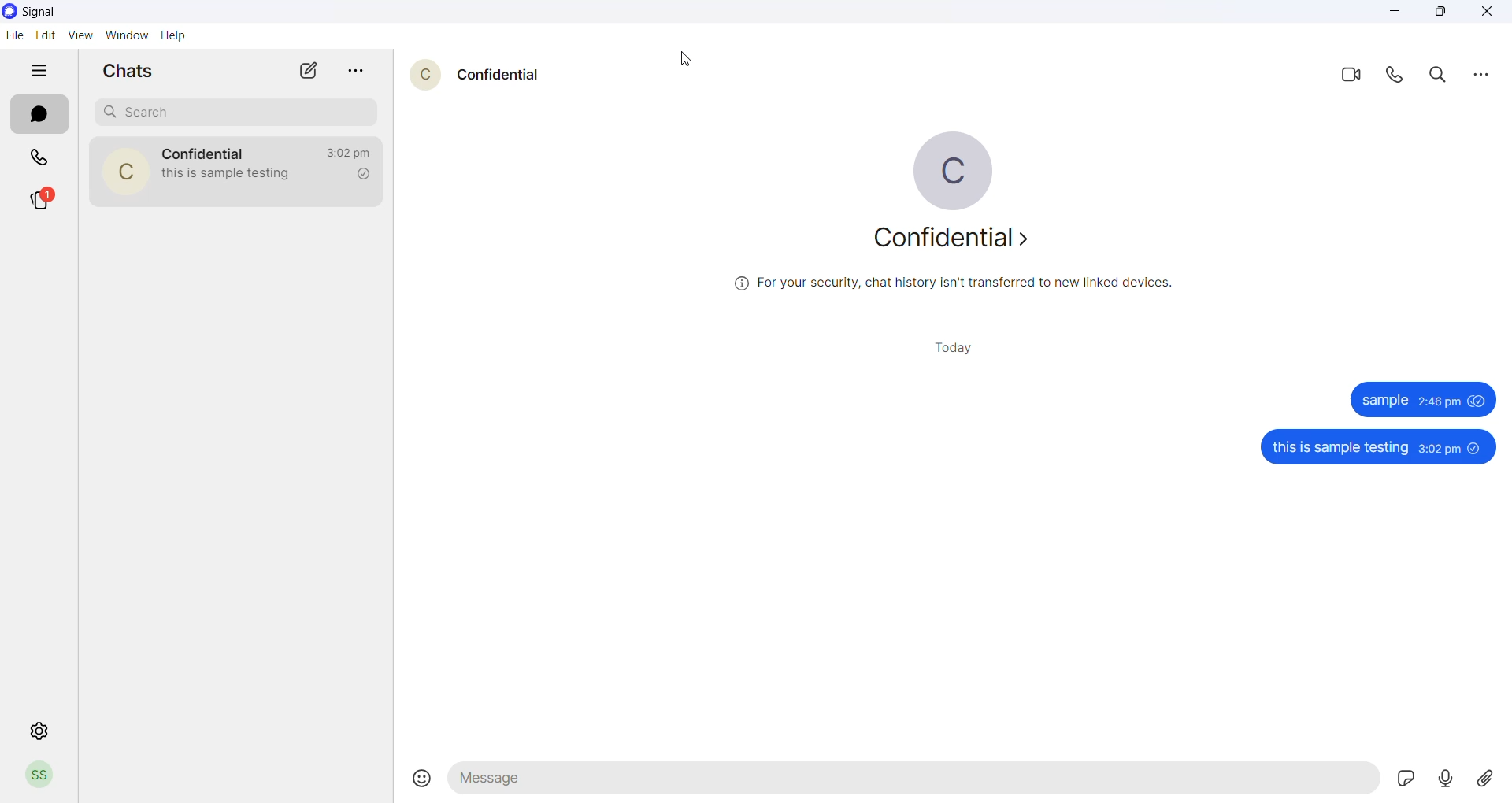  Describe the element at coordinates (206, 152) in the screenshot. I see `contact name` at that location.